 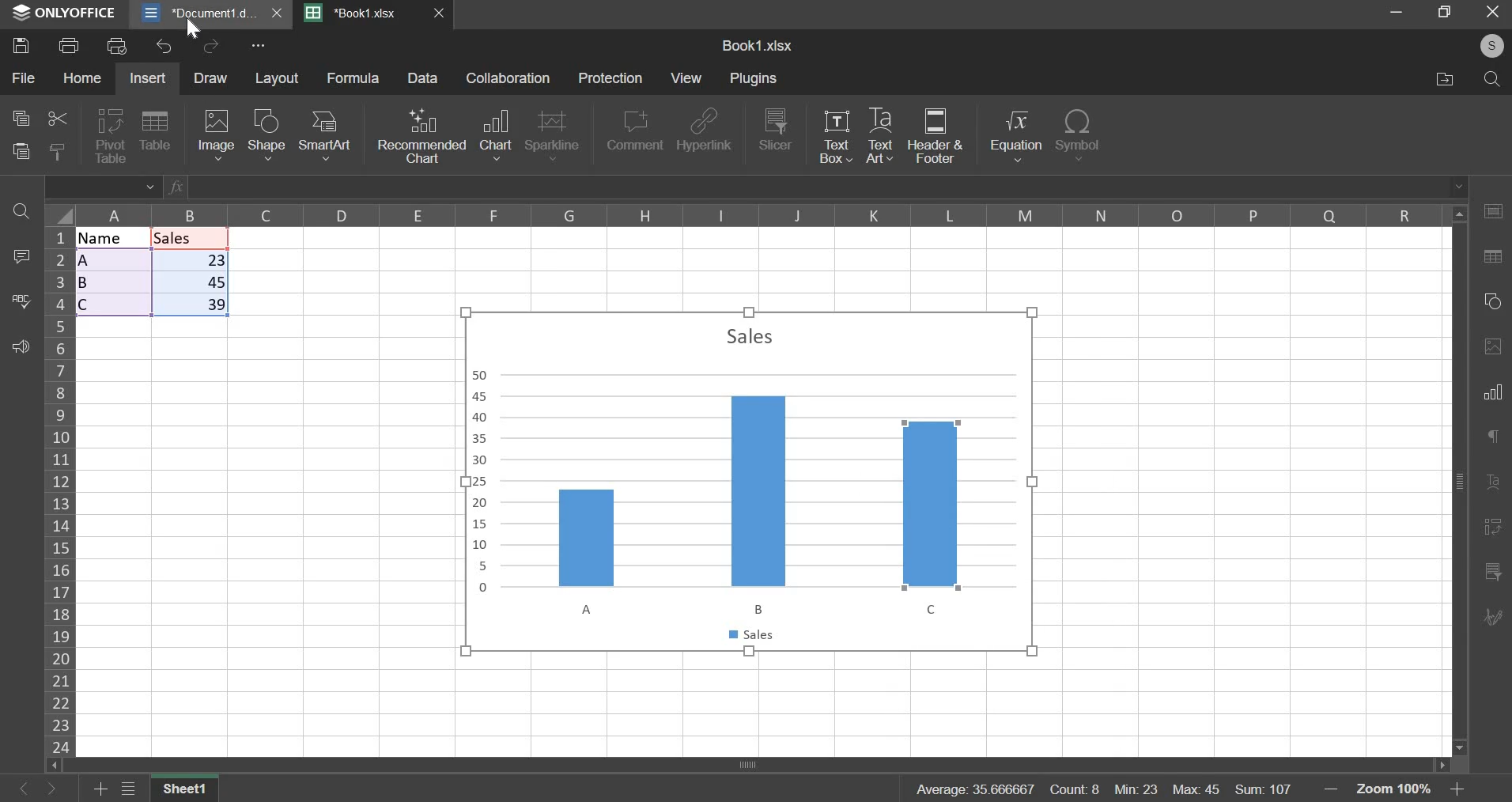 I want to click on print, so click(x=69, y=45).